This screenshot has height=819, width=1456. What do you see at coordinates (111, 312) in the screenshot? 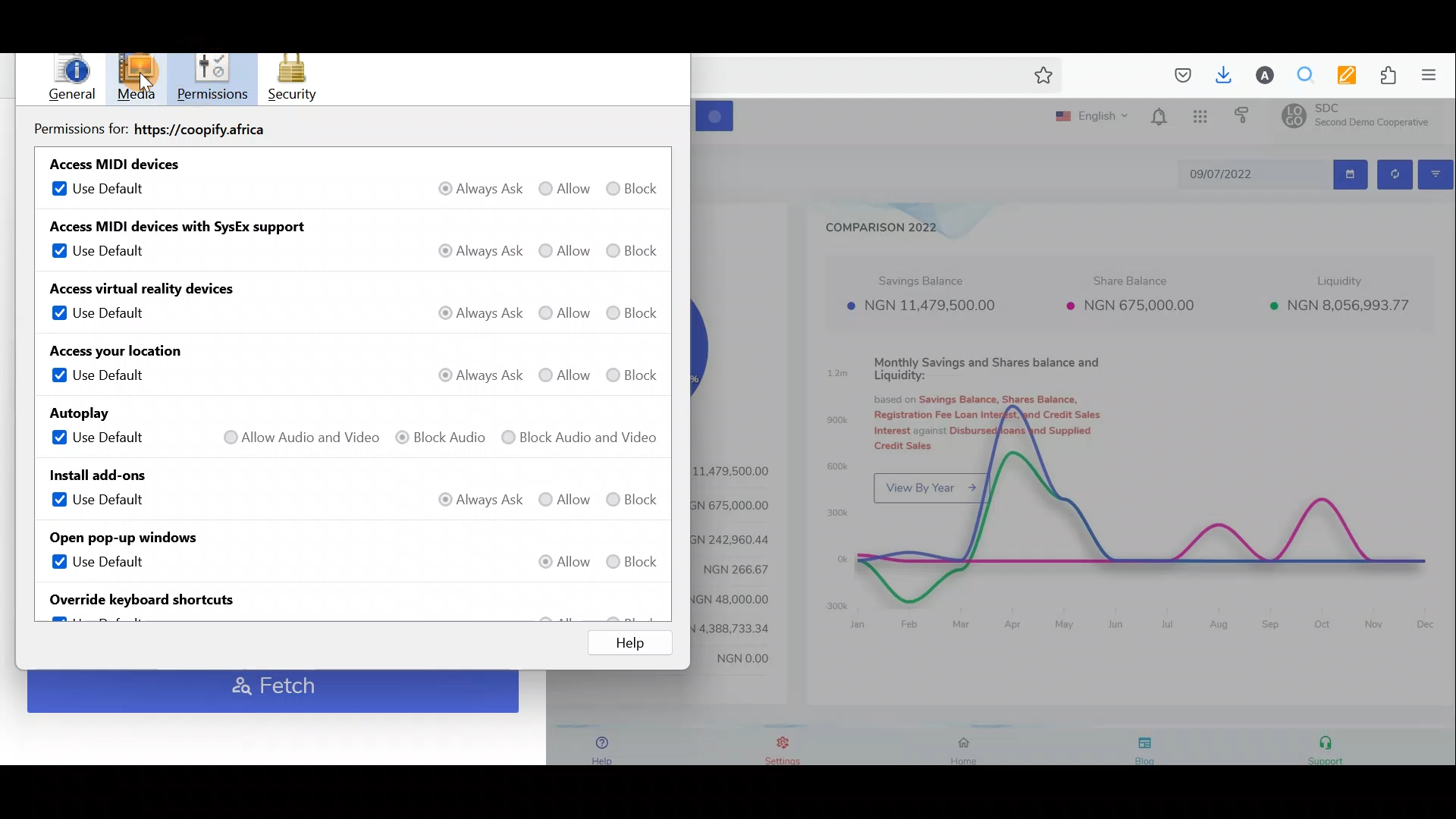
I see `Use default` at bounding box center [111, 312].